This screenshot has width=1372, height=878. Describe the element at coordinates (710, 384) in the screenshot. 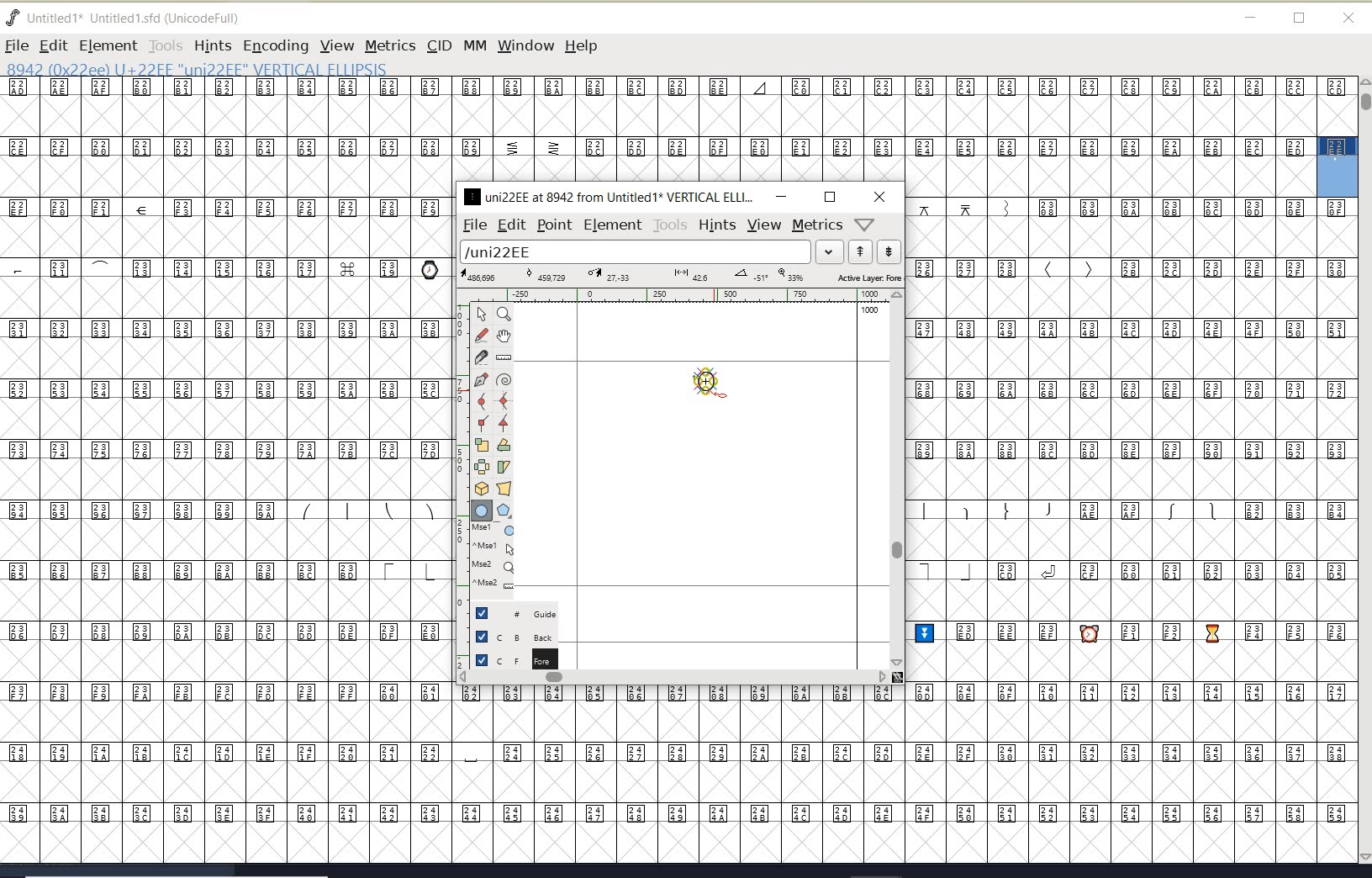

I see `a vertical ellipsis creation` at that location.